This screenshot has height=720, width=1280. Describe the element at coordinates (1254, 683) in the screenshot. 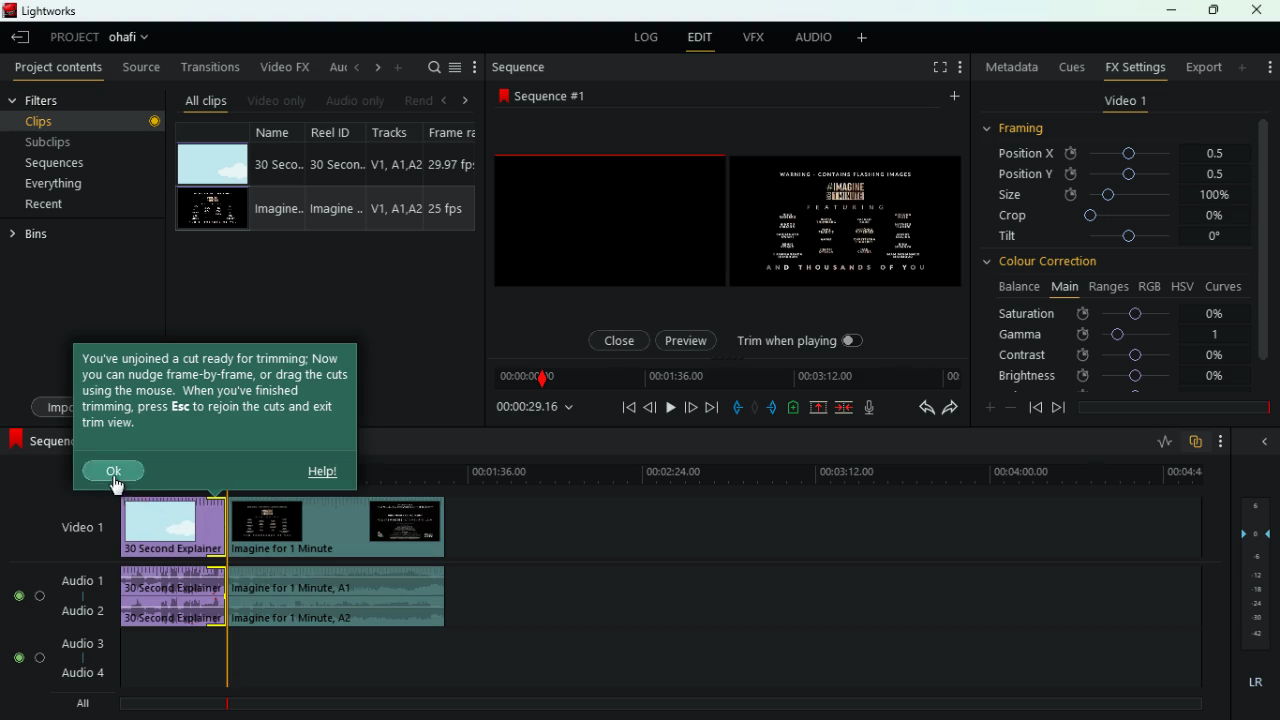

I see `lr` at that location.